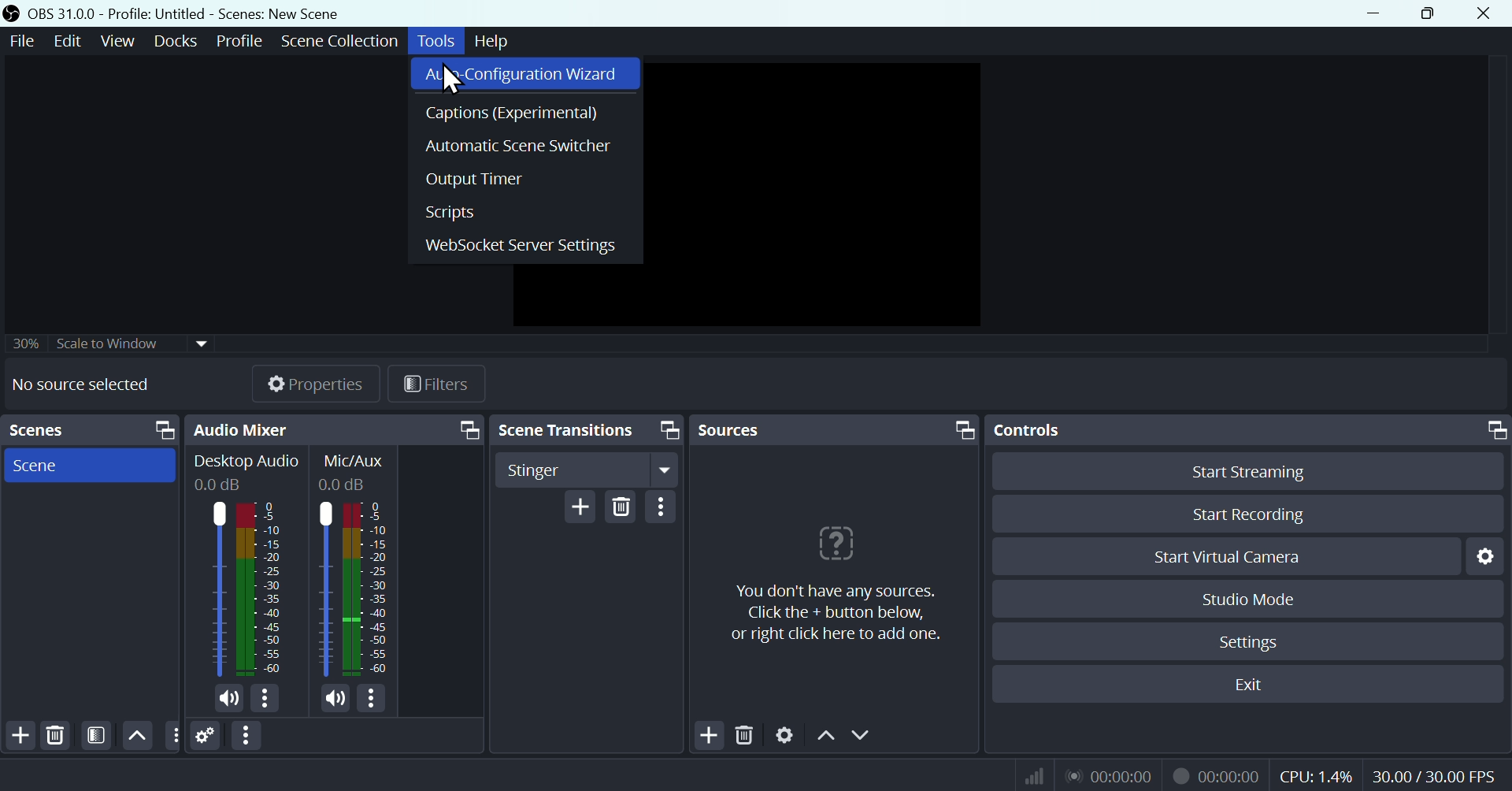 This screenshot has width=1512, height=791. What do you see at coordinates (1247, 685) in the screenshot?
I see `Exit` at bounding box center [1247, 685].